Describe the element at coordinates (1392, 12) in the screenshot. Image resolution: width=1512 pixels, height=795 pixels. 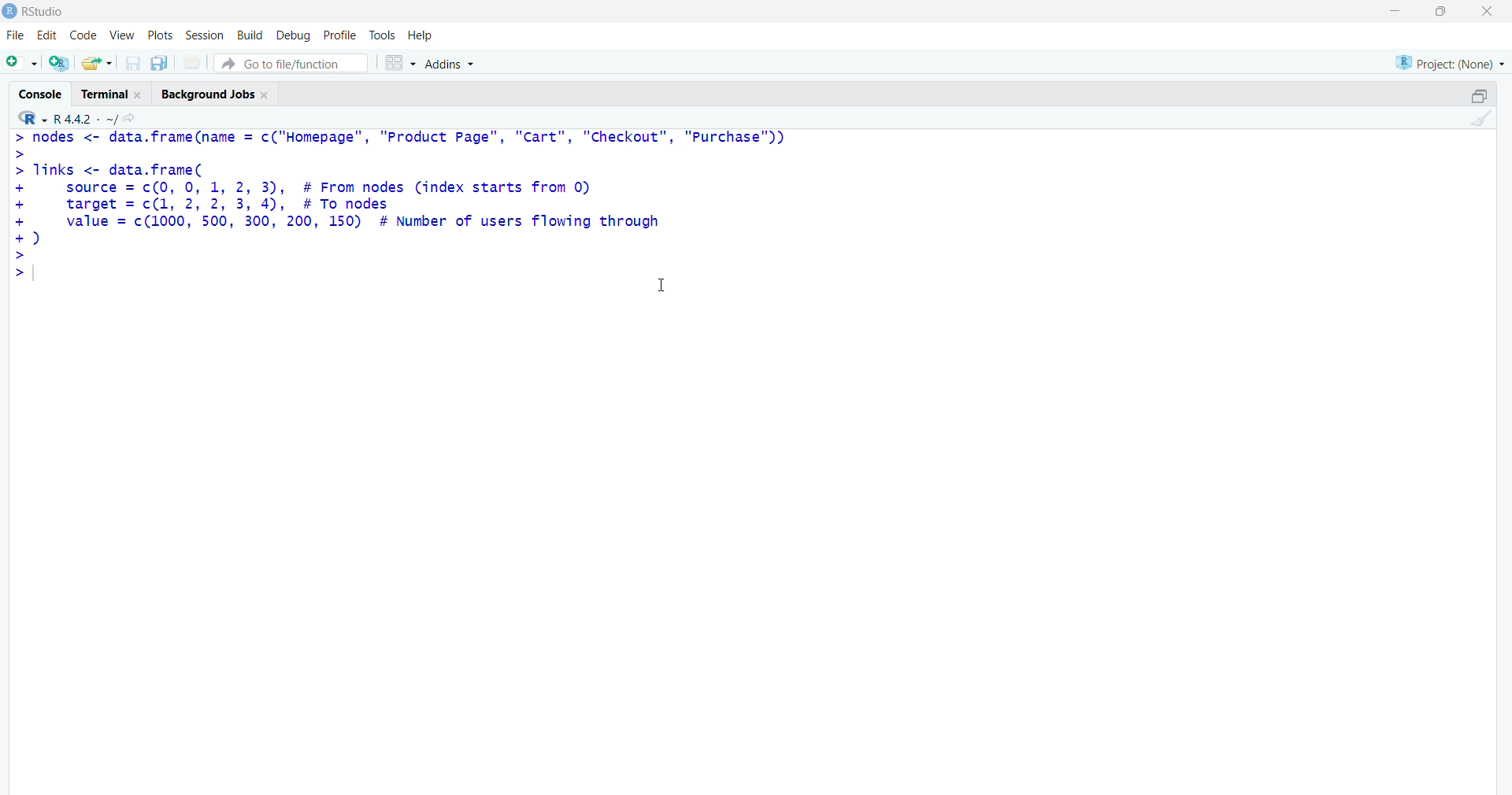
I see `minimize` at that location.